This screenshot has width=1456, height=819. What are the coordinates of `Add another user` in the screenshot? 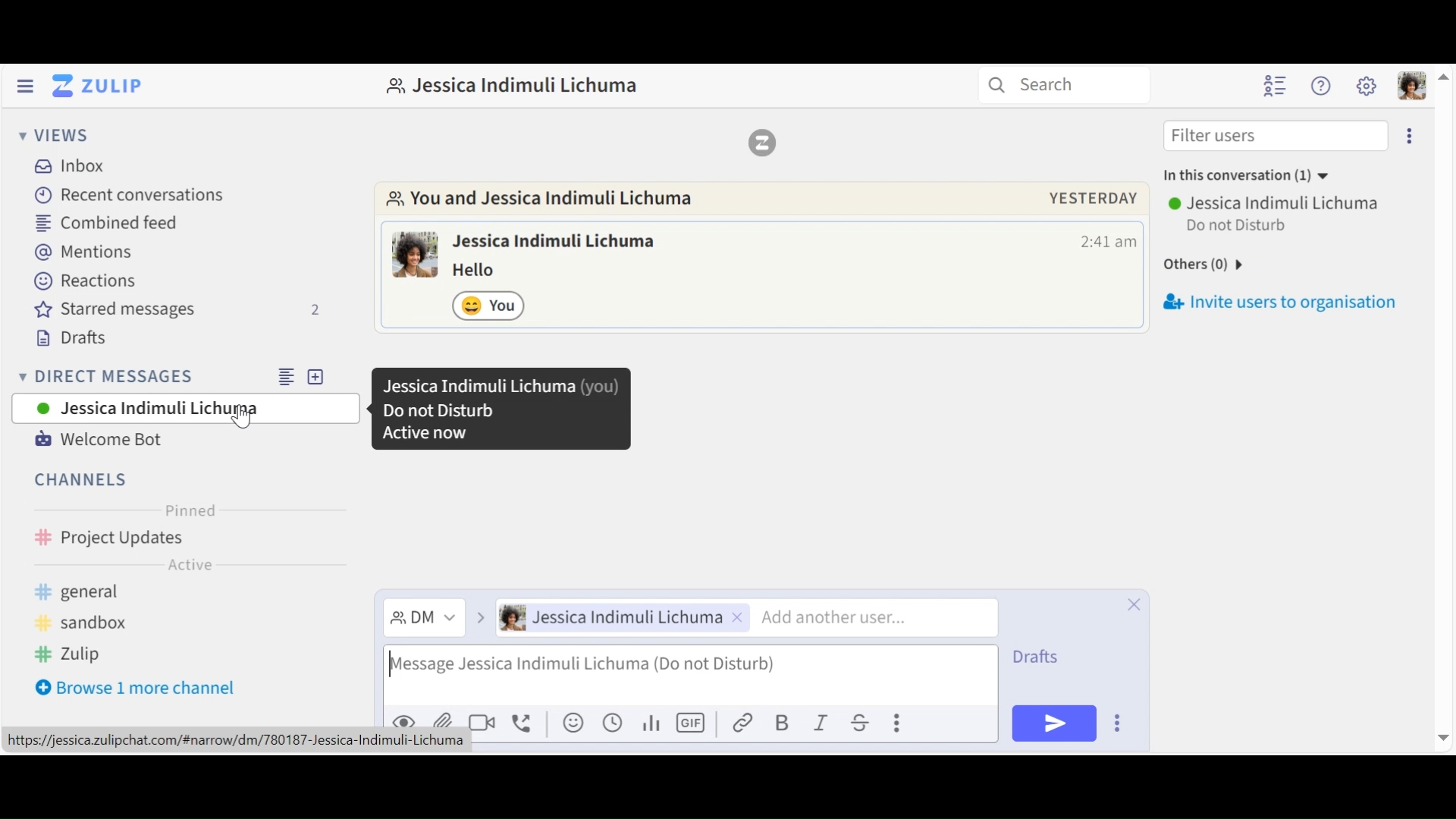 It's located at (852, 617).